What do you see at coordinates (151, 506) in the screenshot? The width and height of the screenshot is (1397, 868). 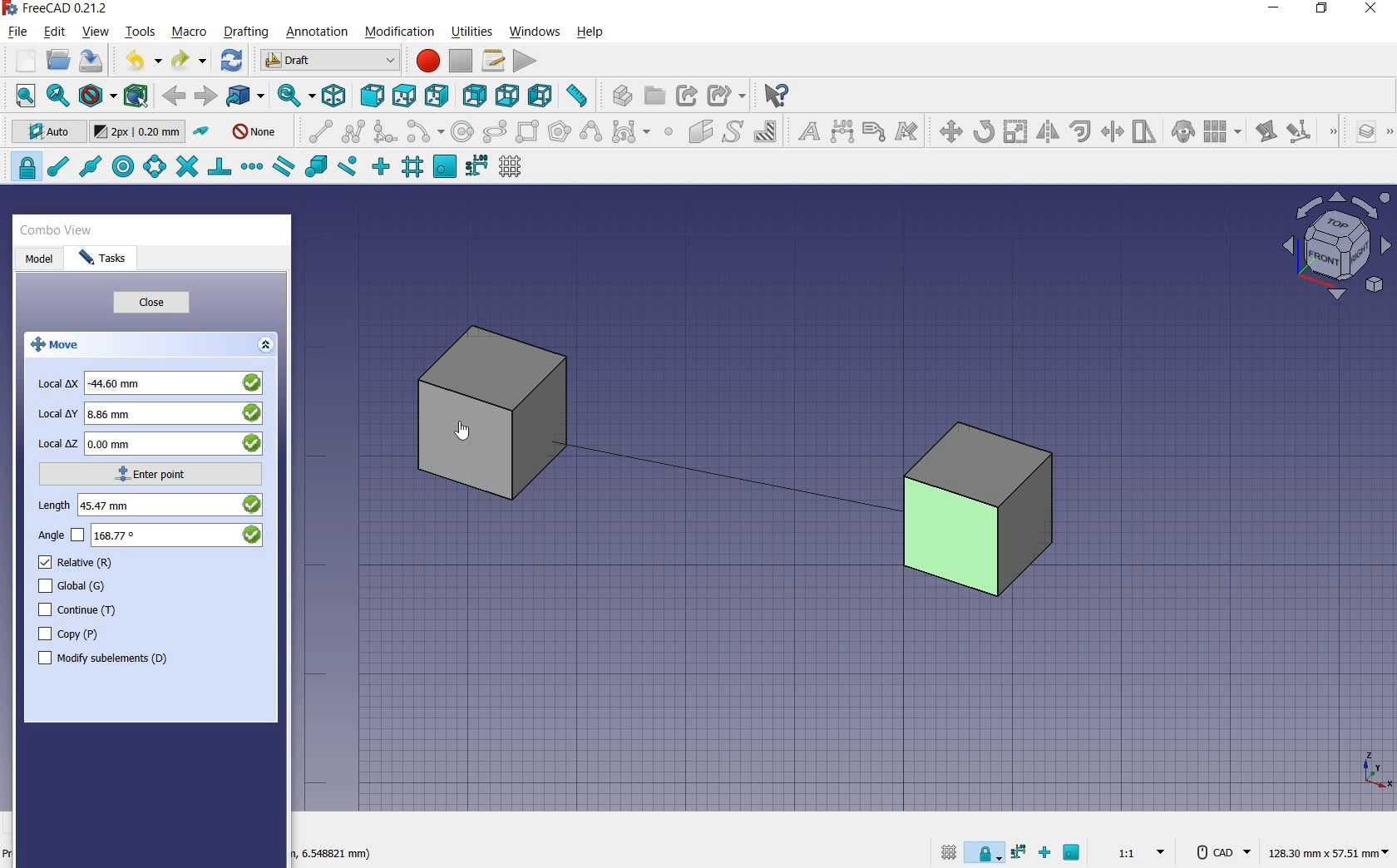 I see `length` at bounding box center [151, 506].